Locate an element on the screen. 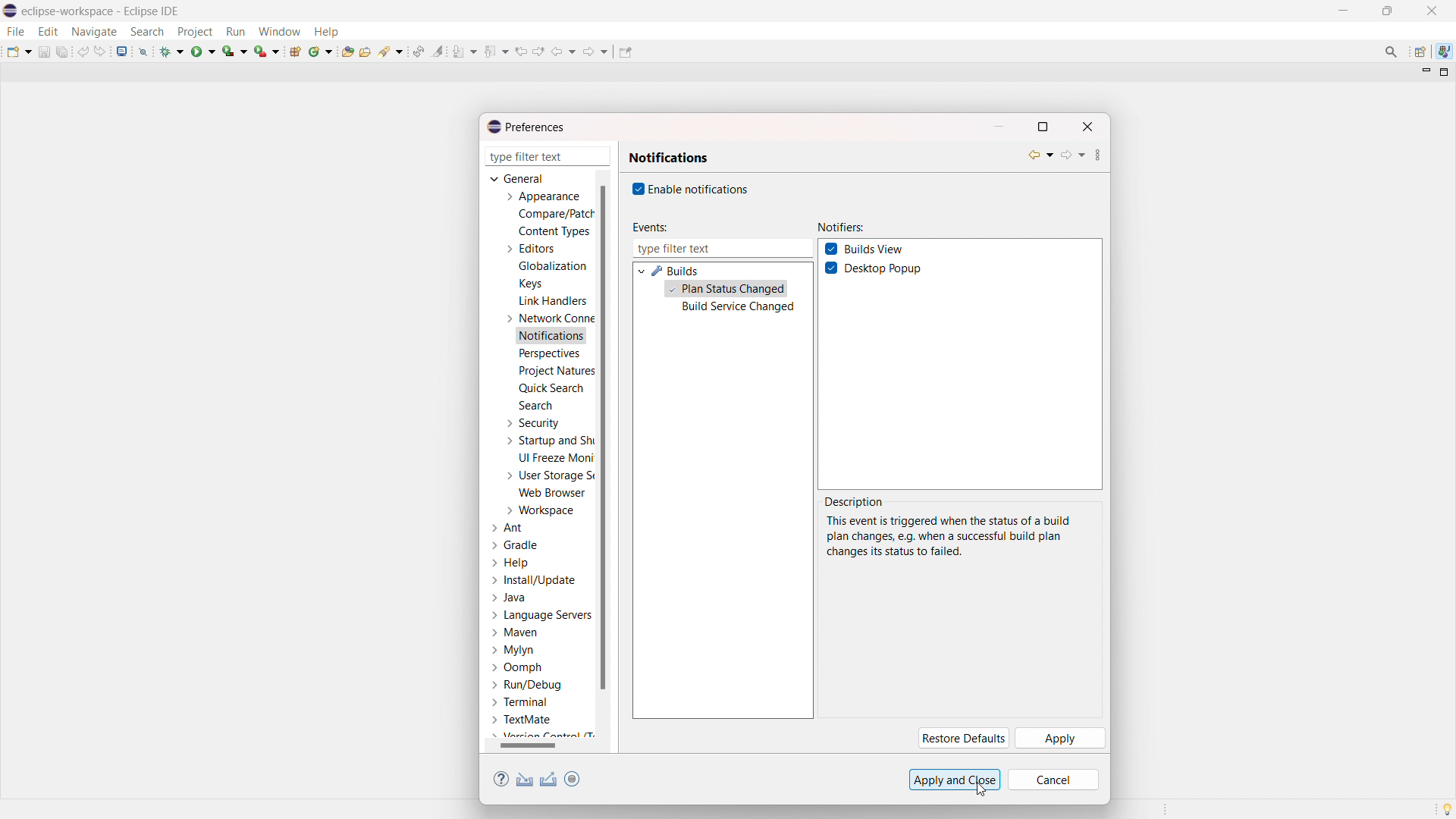 Image resolution: width=1456 pixels, height=819 pixels. back is located at coordinates (563, 52).